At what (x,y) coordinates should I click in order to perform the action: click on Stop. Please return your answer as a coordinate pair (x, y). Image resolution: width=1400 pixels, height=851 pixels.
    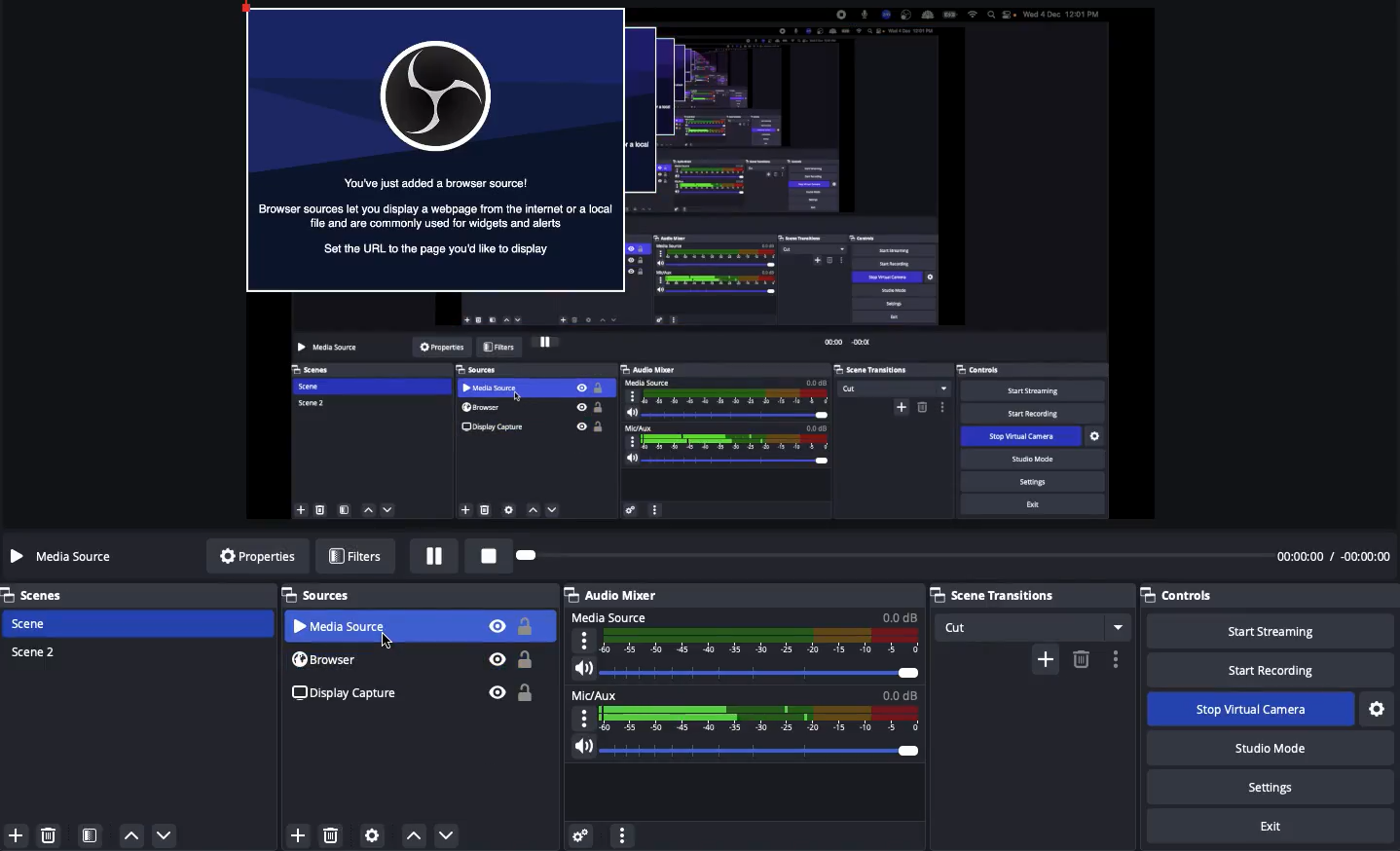
    Looking at the image, I should click on (485, 554).